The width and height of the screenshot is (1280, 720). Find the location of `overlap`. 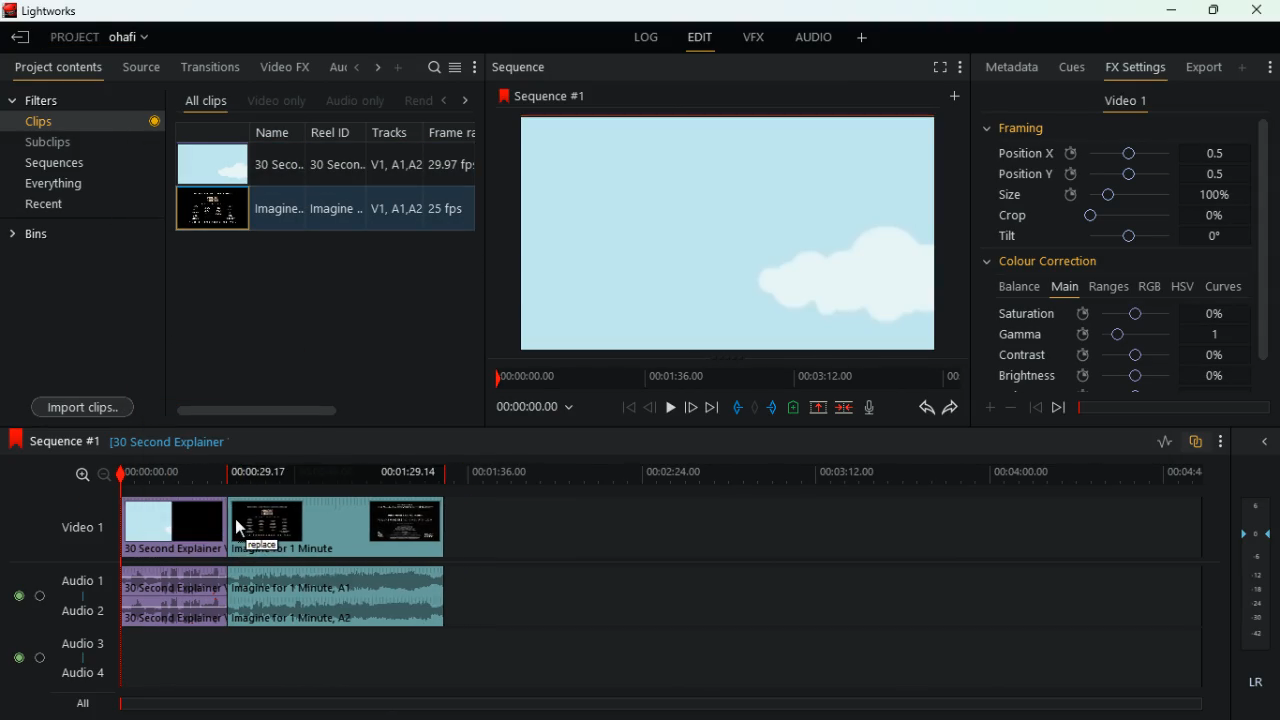

overlap is located at coordinates (1198, 442).